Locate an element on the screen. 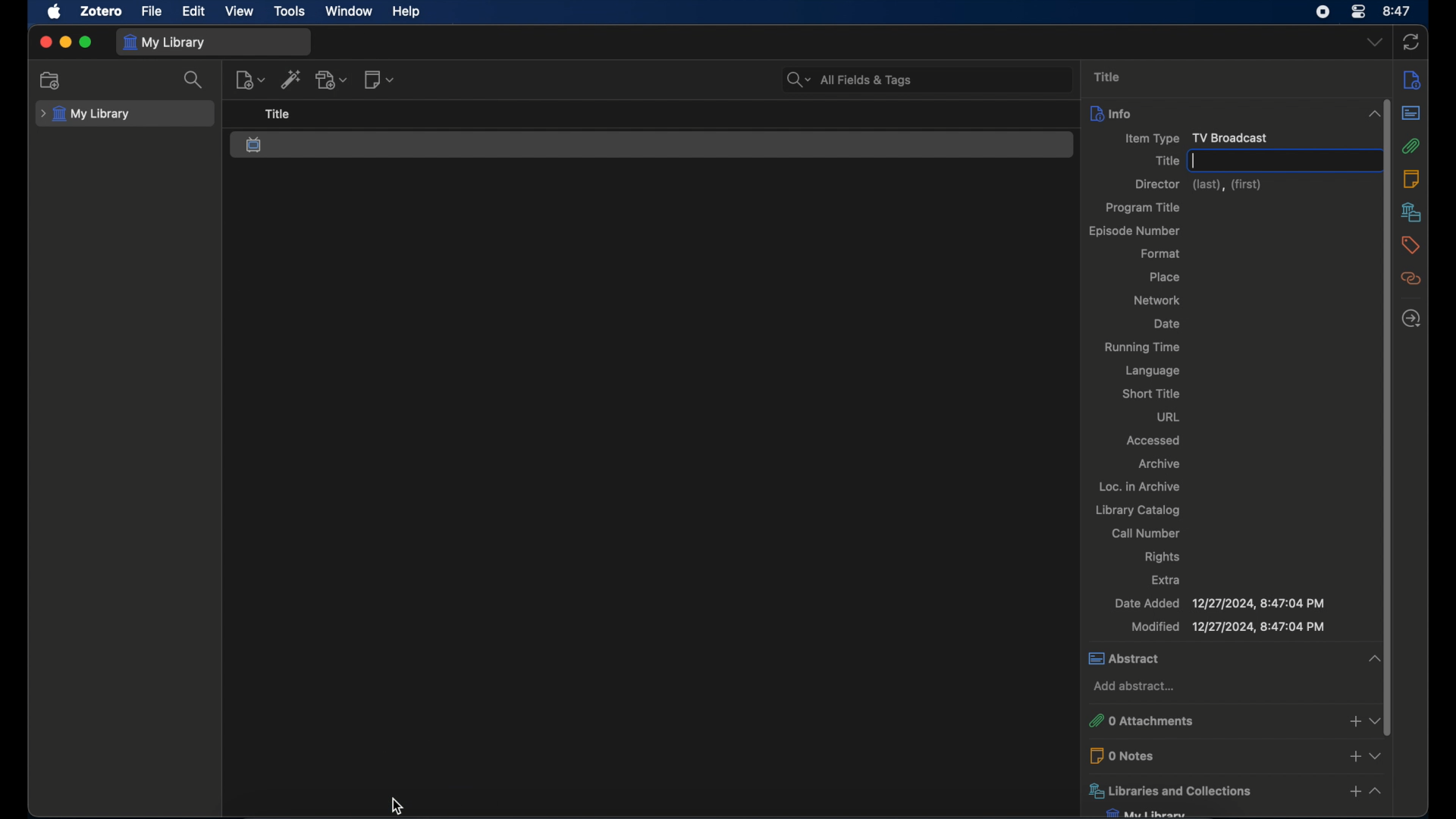  add libraries is located at coordinates (1354, 793).